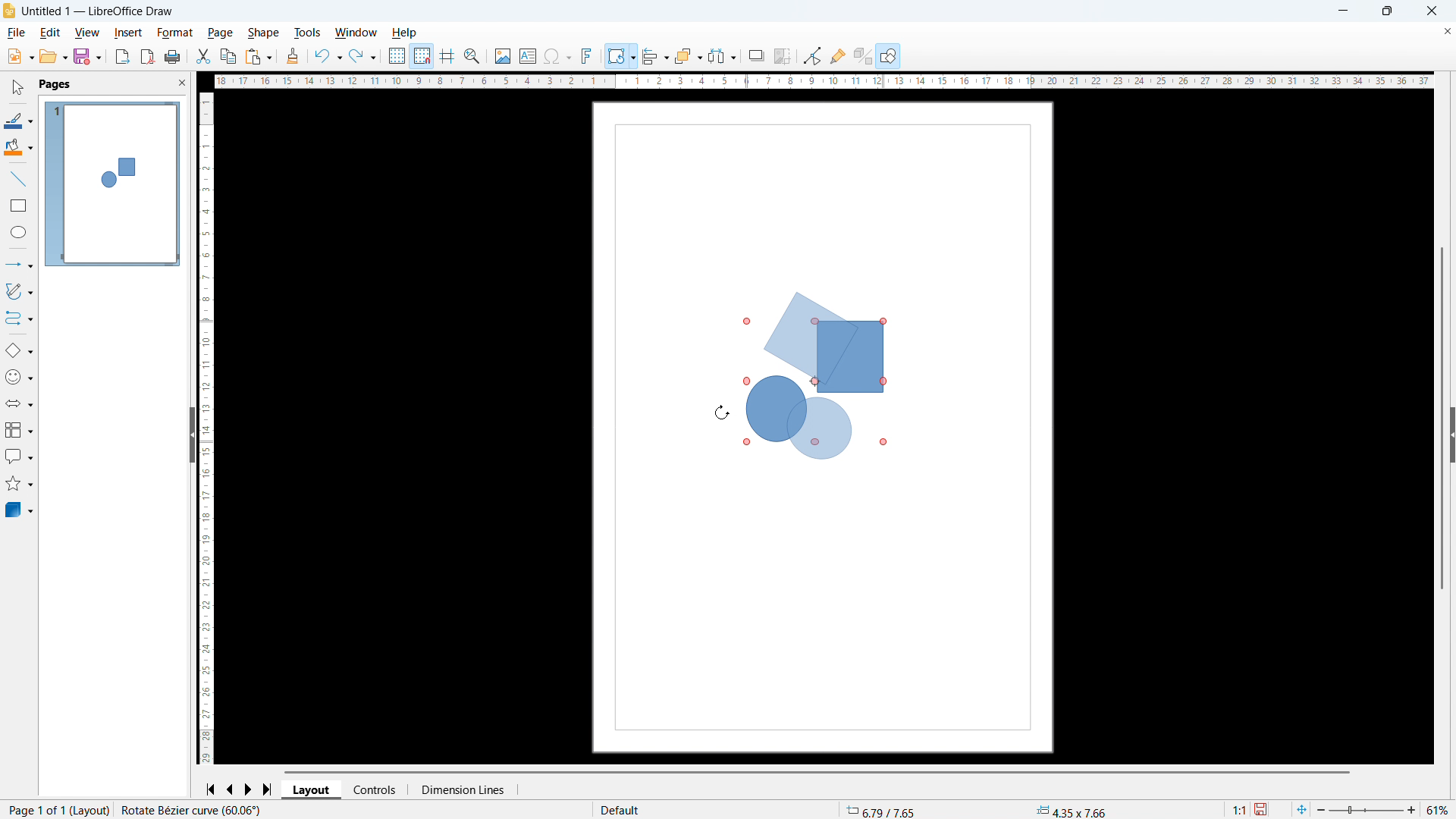 Image resolution: width=1456 pixels, height=819 pixels. What do you see at coordinates (811, 55) in the screenshot?
I see `Toggle point edit mode ` at bounding box center [811, 55].